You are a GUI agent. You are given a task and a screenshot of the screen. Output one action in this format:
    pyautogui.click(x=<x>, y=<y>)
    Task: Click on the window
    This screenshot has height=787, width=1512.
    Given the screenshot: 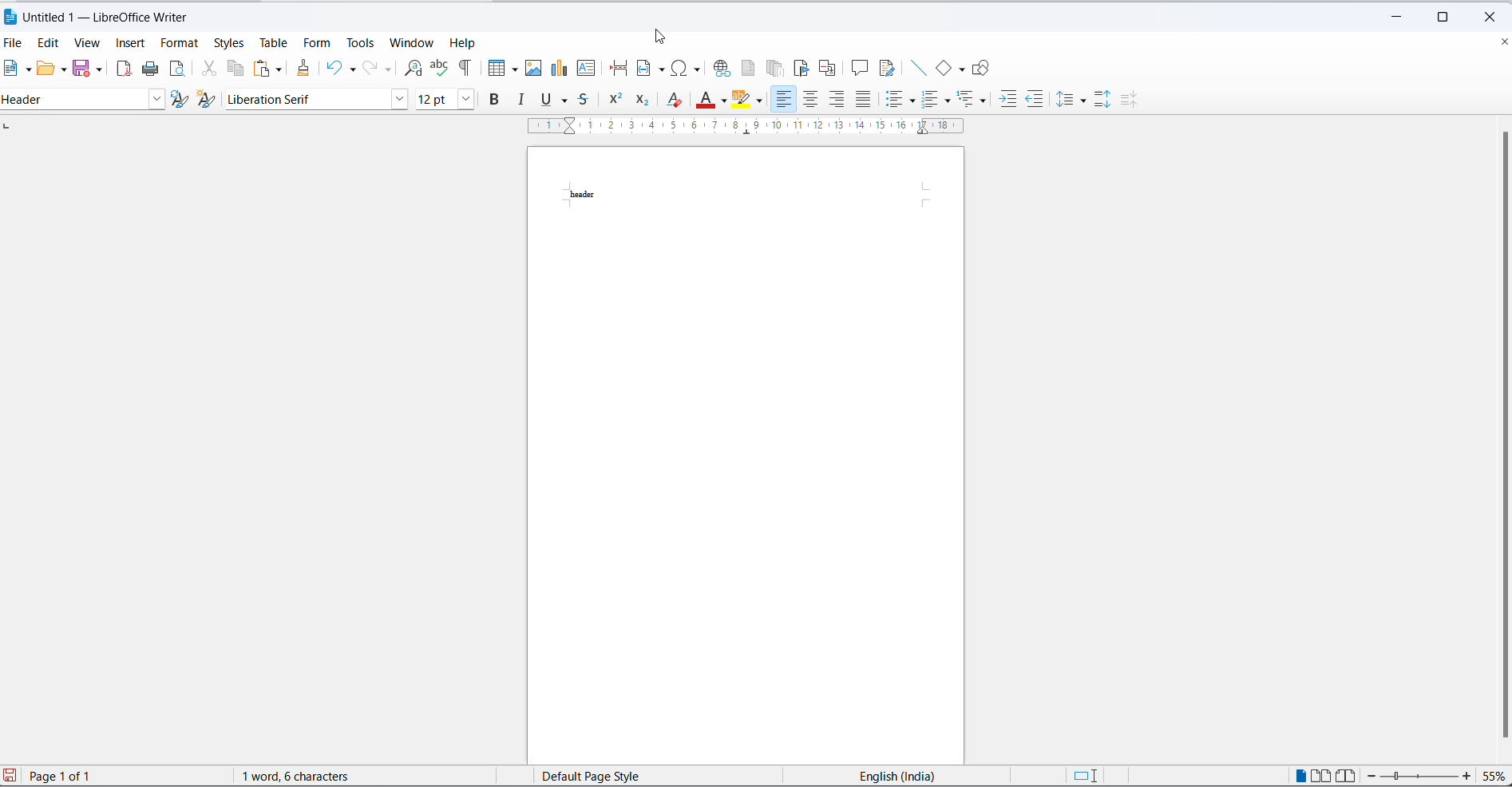 What is the action you would take?
    pyautogui.click(x=415, y=43)
    